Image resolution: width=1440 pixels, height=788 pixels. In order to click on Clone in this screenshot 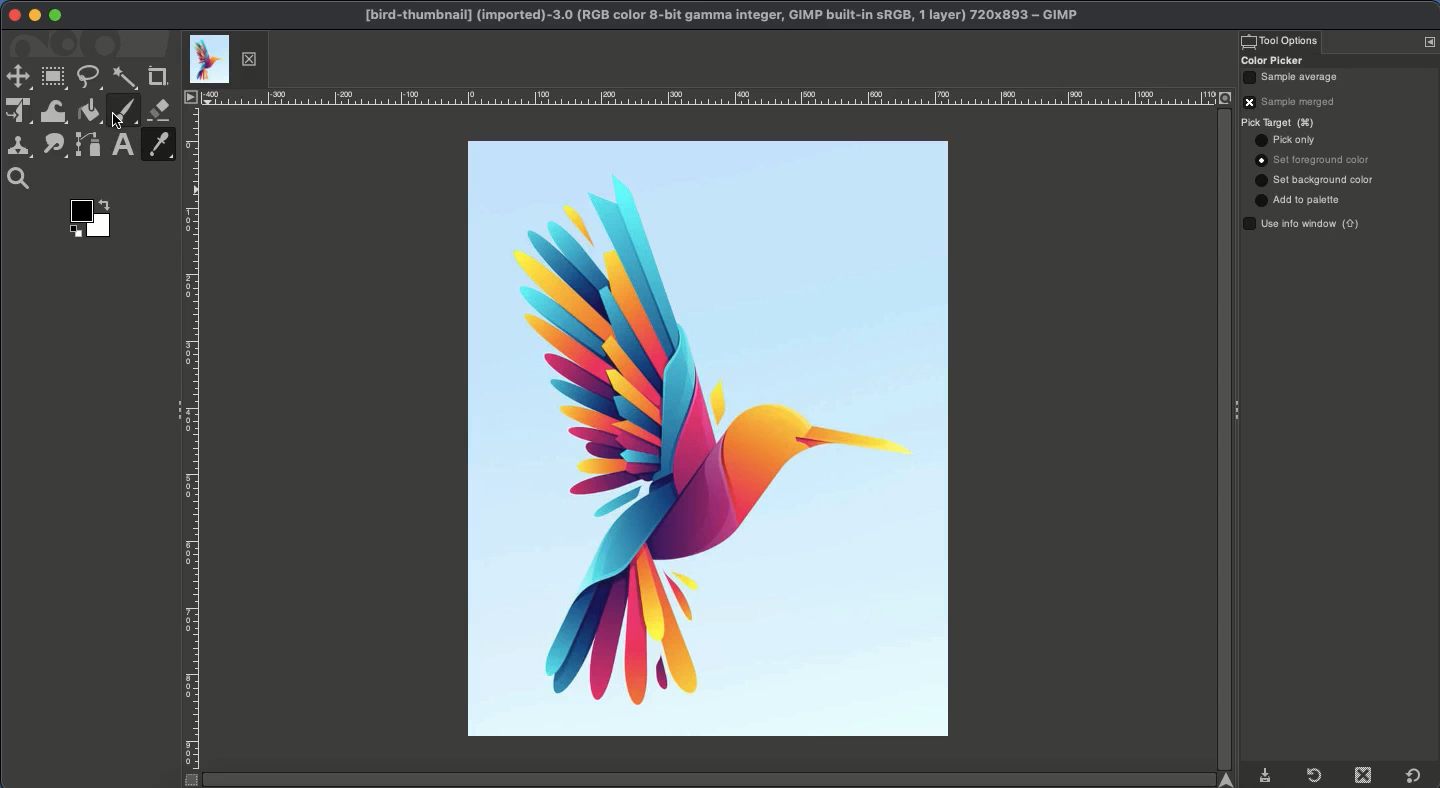, I will do `click(19, 149)`.